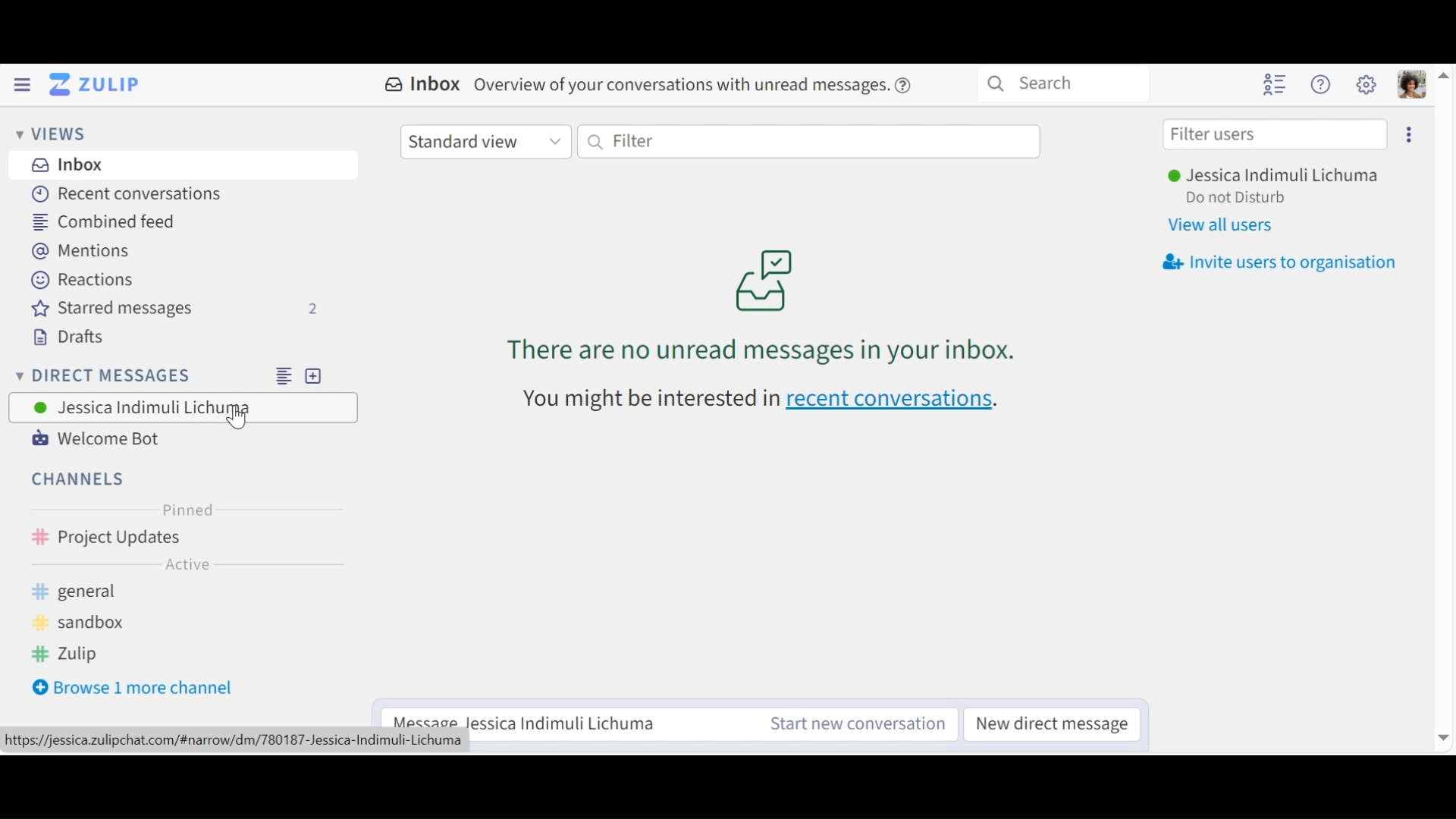 The width and height of the screenshot is (1456, 819). Describe the element at coordinates (1222, 226) in the screenshot. I see `View al users` at that location.